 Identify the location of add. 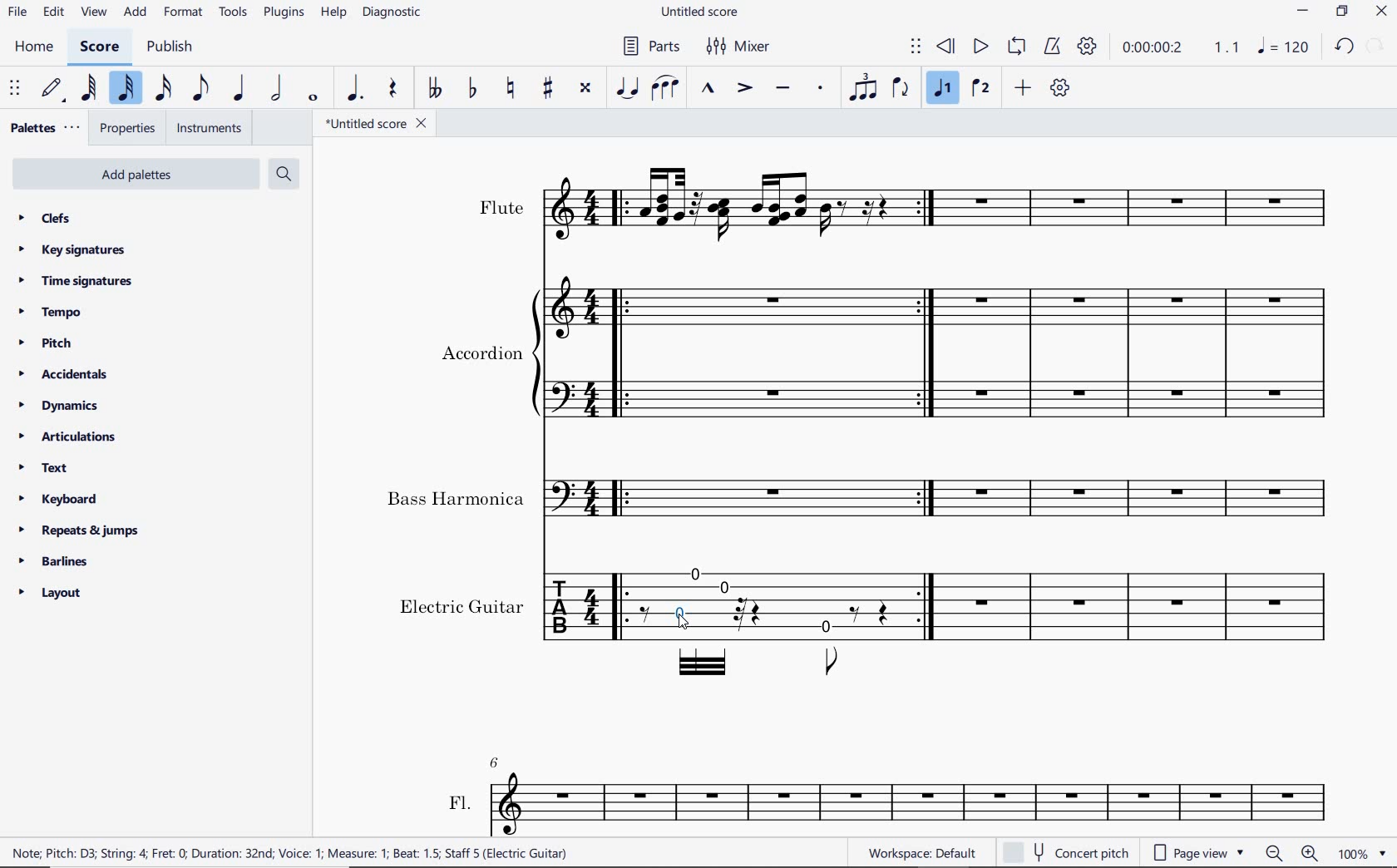
(1025, 89).